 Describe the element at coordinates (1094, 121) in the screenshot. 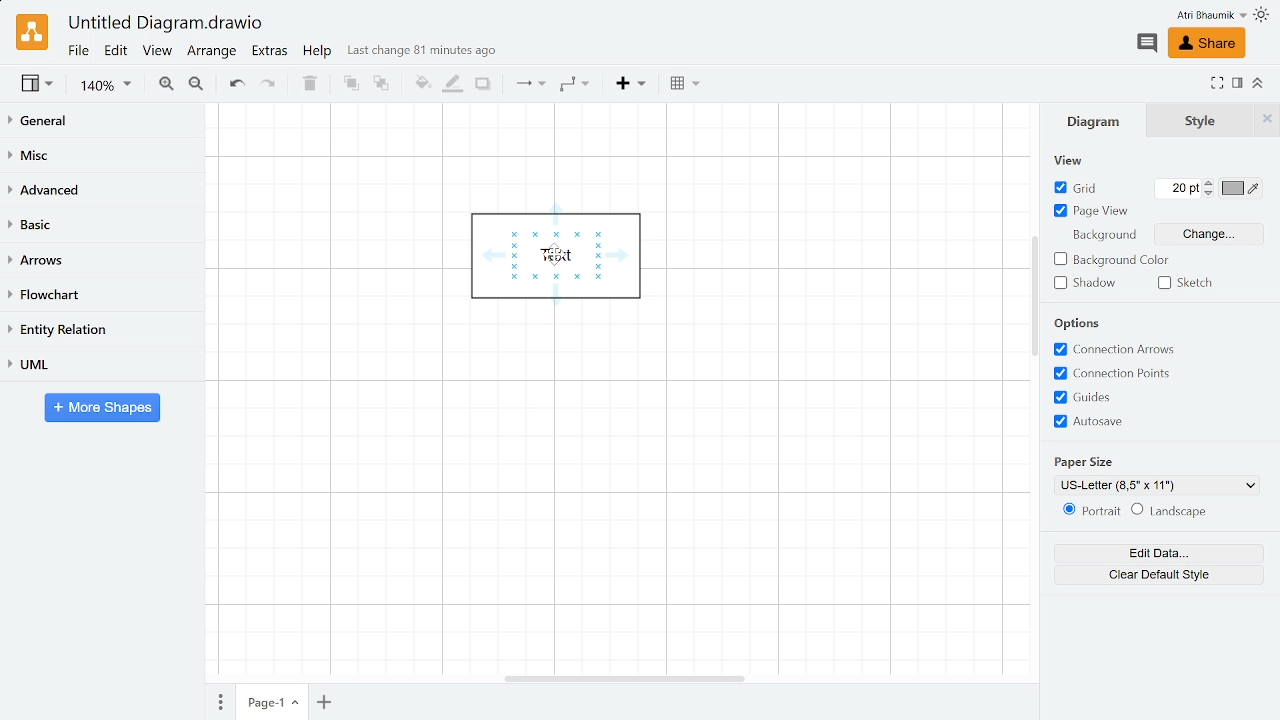

I see `Diagram` at that location.